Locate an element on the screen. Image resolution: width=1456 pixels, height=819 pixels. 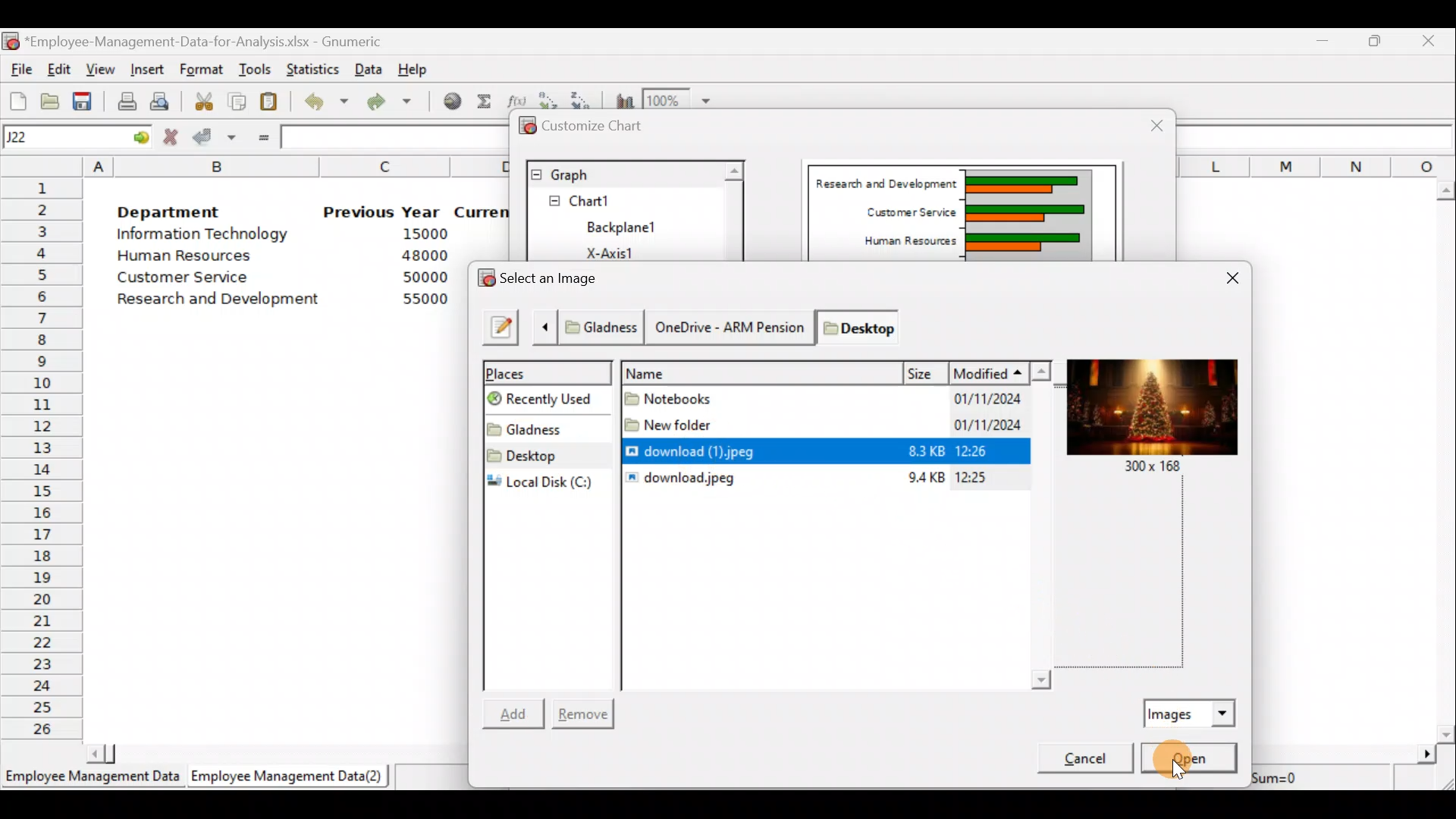
Customer Service is located at coordinates (176, 278).